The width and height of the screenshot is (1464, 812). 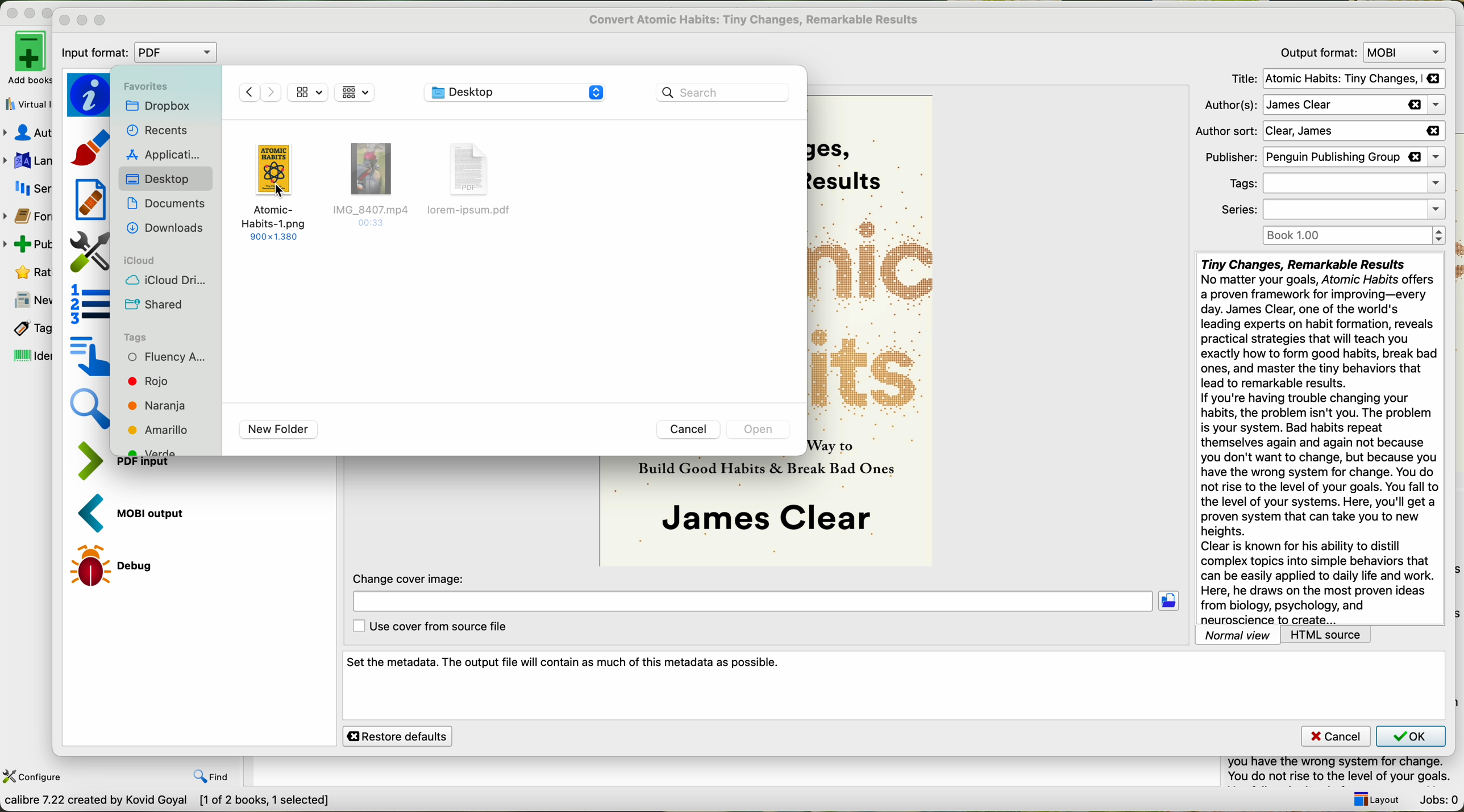 What do you see at coordinates (398, 736) in the screenshot?
I see `restore defaults` at bounding box center [398, 736].